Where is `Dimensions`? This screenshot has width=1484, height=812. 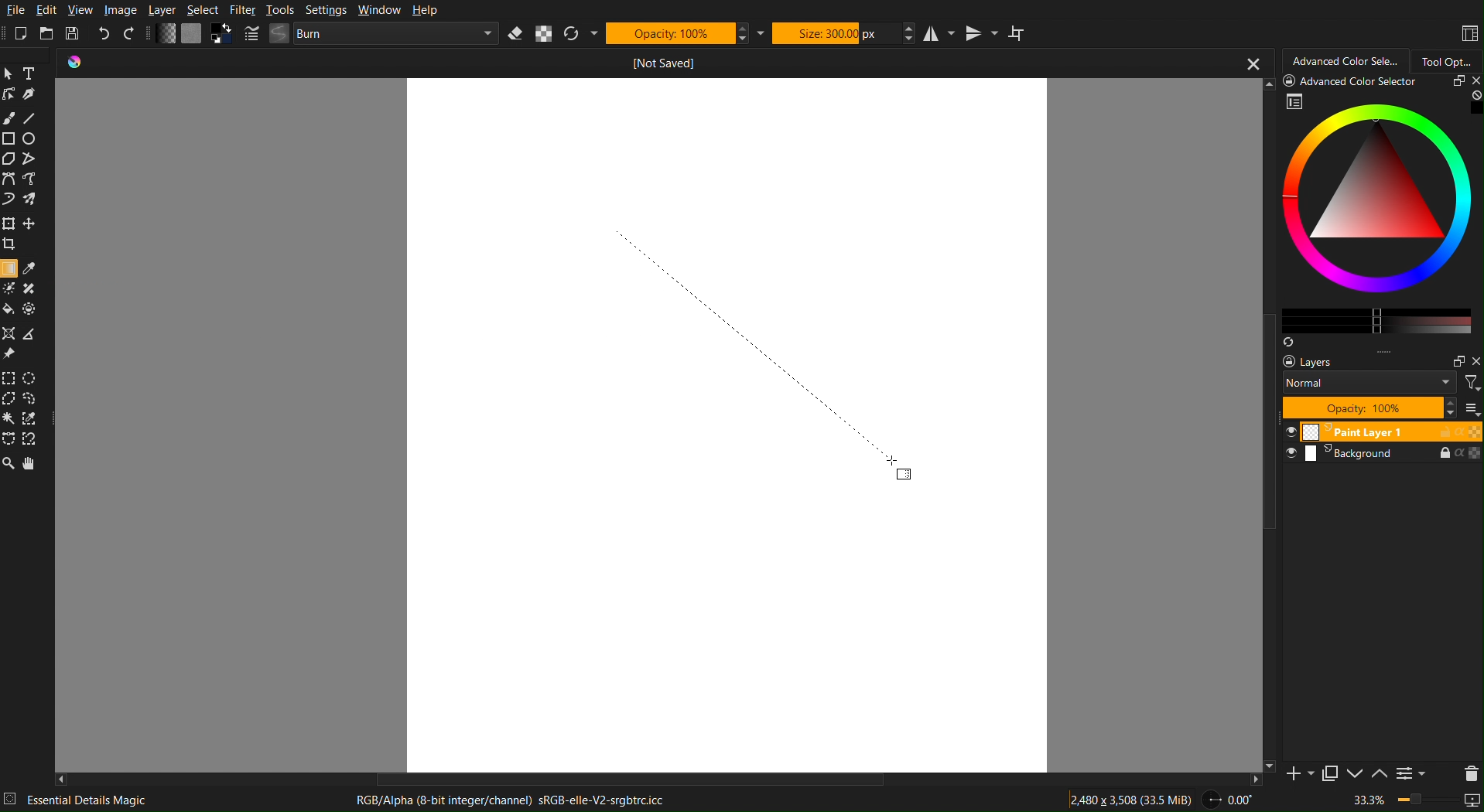
Dimensions is located at coordinates (1133, 799).